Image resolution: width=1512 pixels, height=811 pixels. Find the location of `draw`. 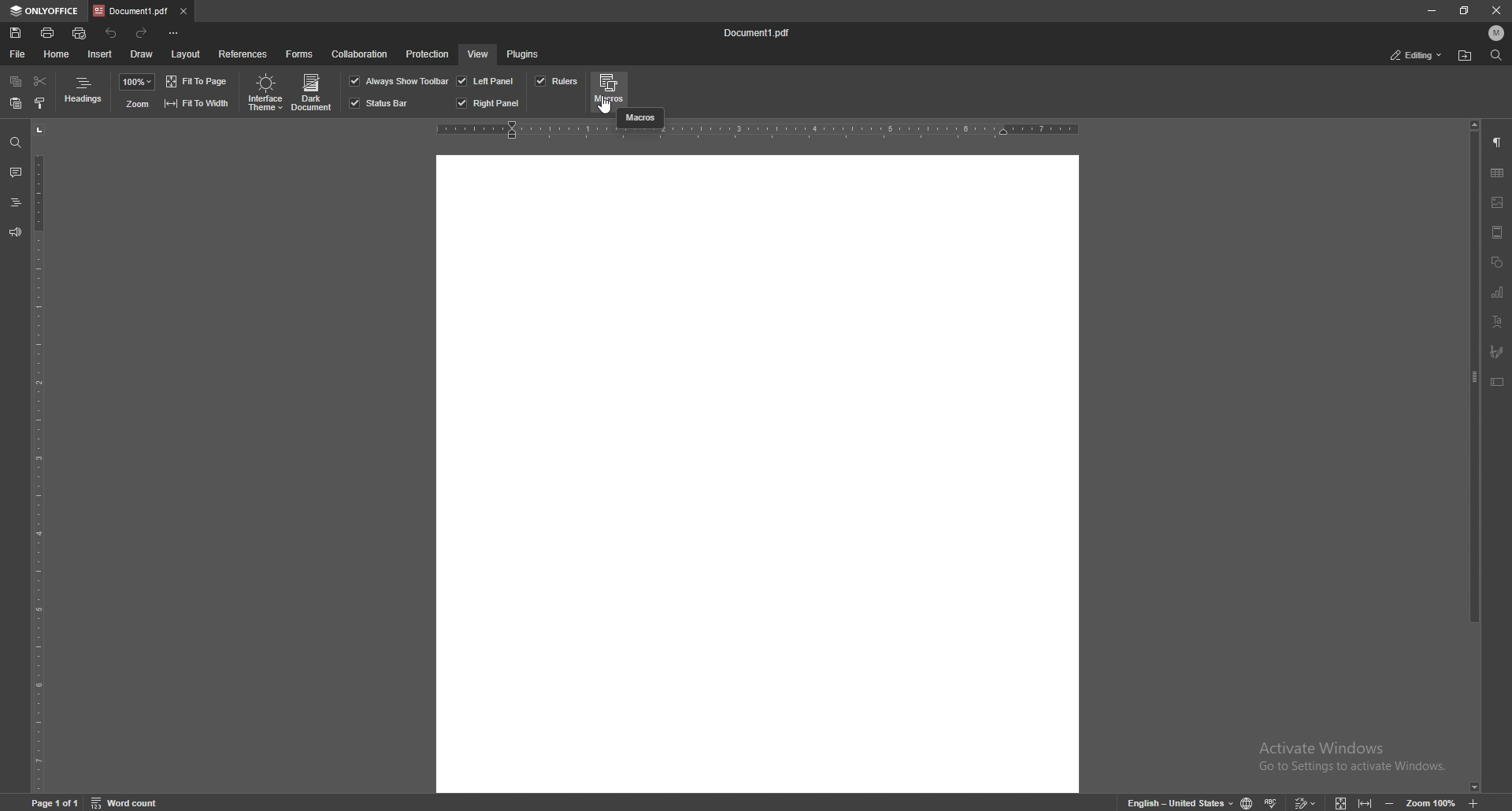

draw is located at coordinates (143, 53).